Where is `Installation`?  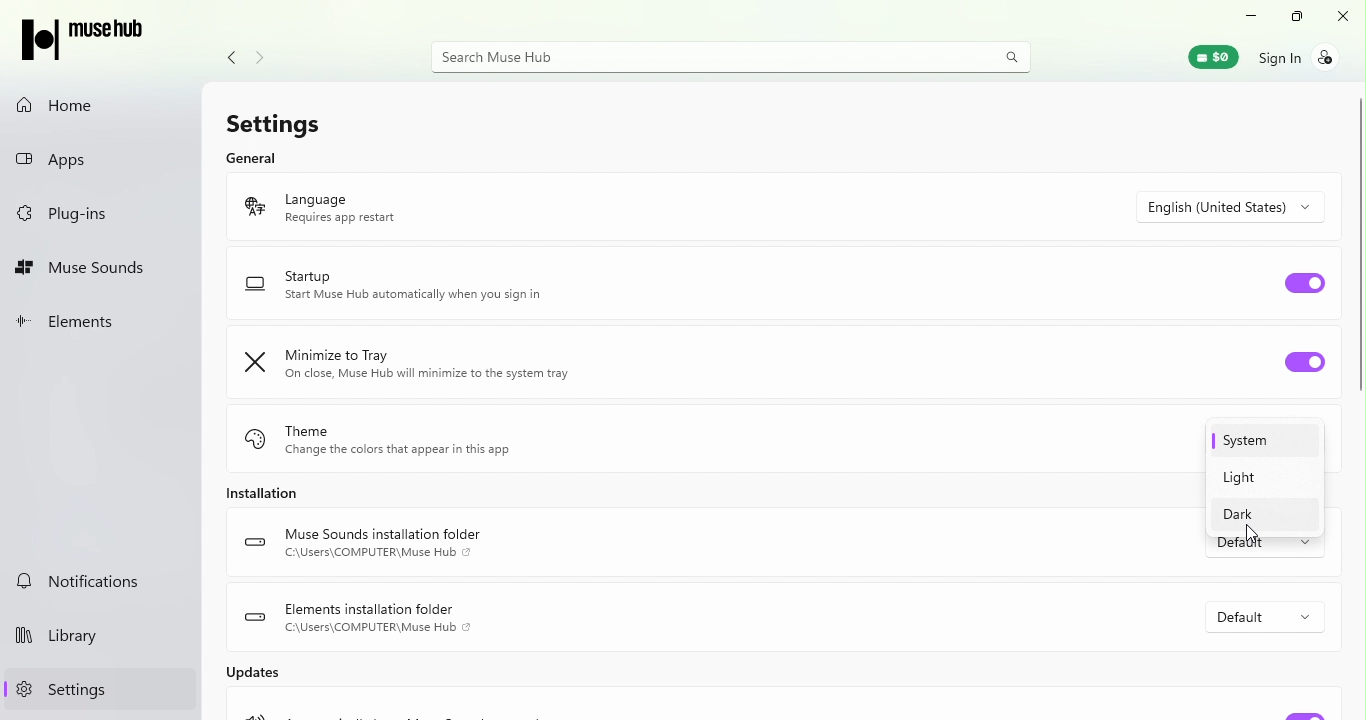 Installation is located at coordinates (269, 494).